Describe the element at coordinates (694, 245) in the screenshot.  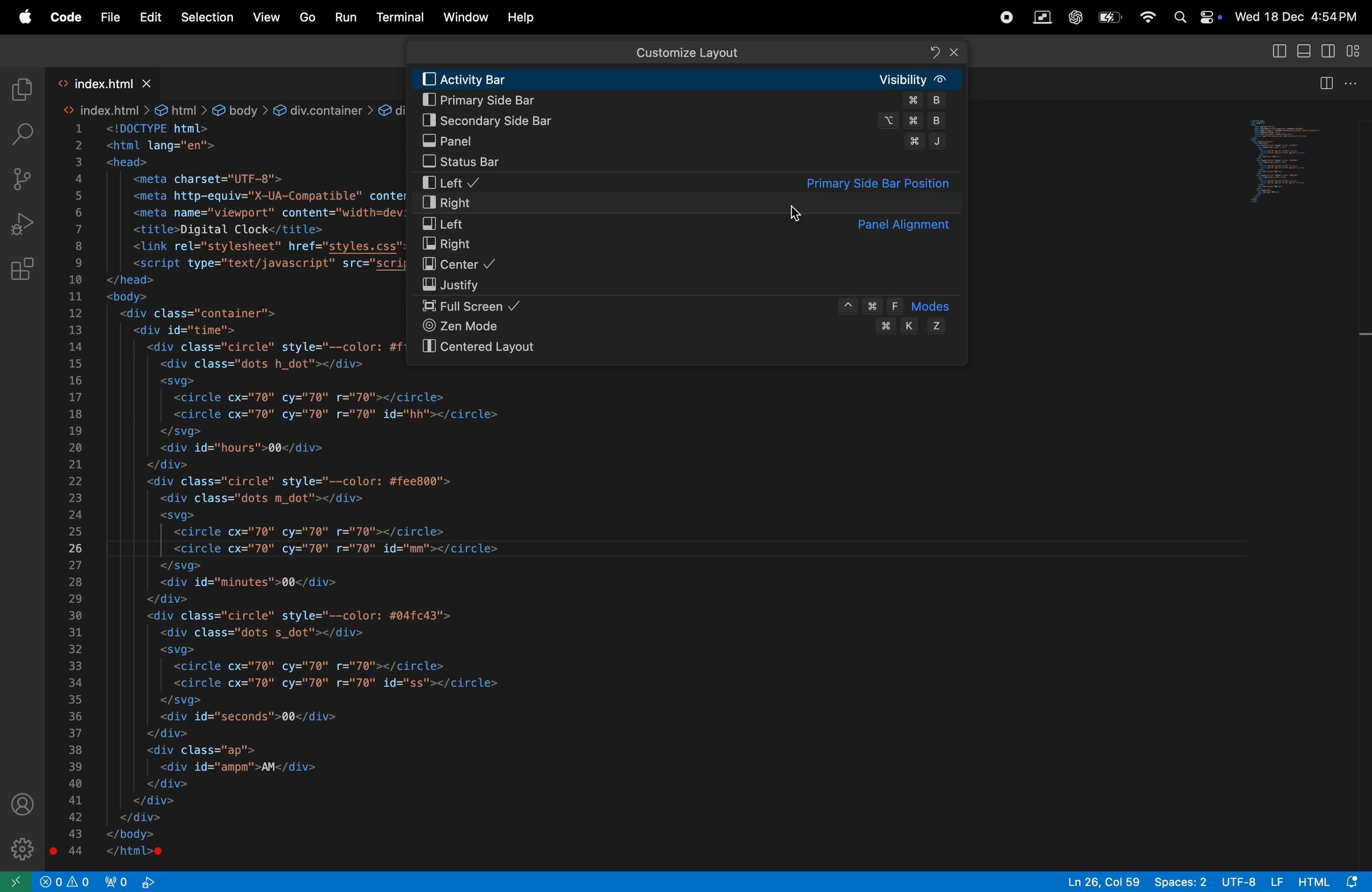
I see `right` at that location.